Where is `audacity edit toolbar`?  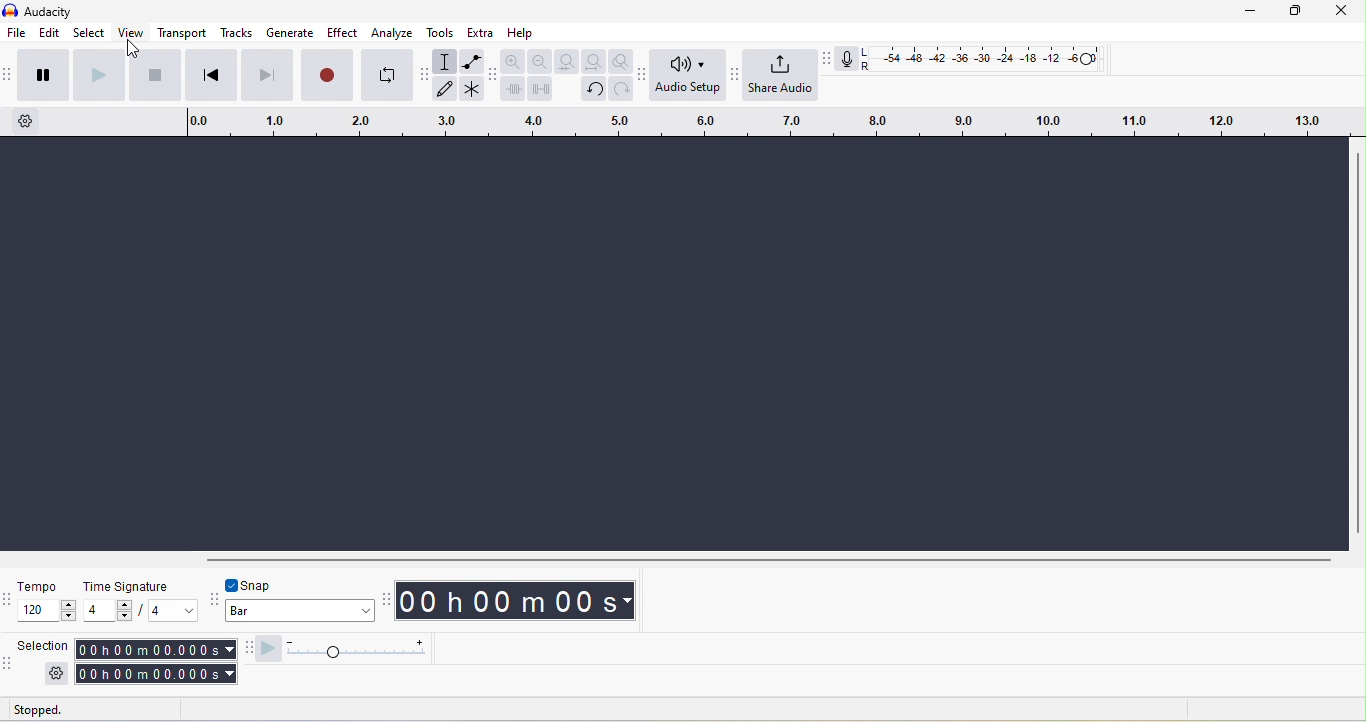
audacity edit toolbar is located at coordinates (492, 77).